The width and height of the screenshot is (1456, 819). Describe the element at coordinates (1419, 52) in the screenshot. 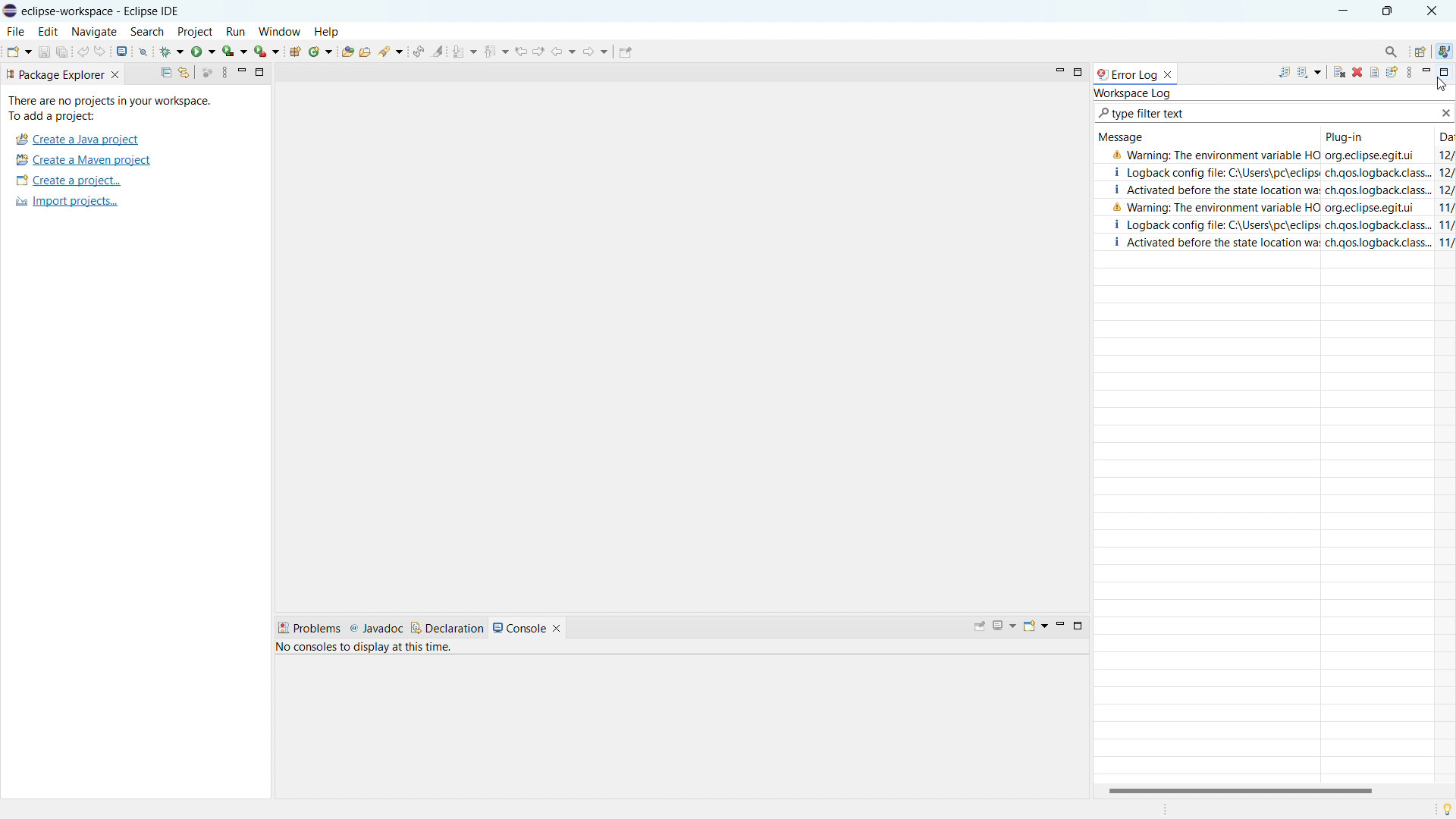

I see `open perspective` at that location.